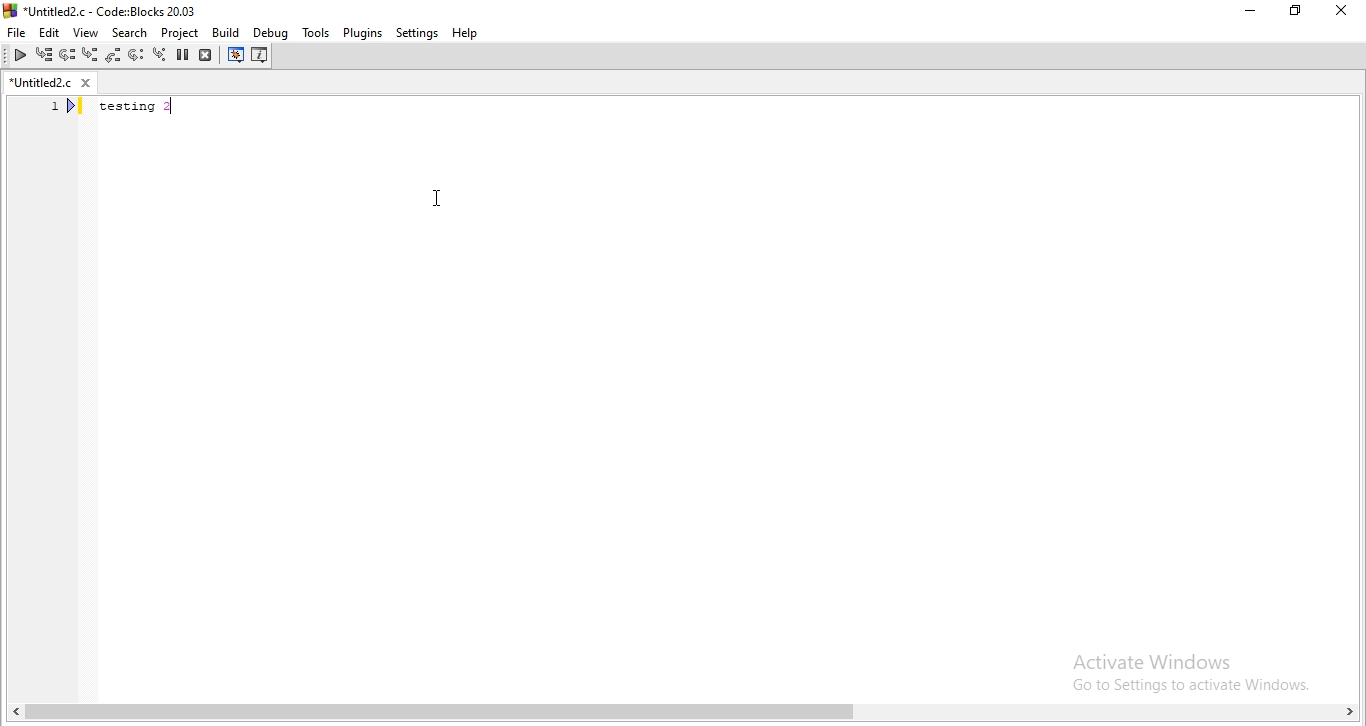 This screenshot has height=726, width=1366. Describe the element at coordinates (136, 55) in the screenshot. I see `step into instruction` at that location.